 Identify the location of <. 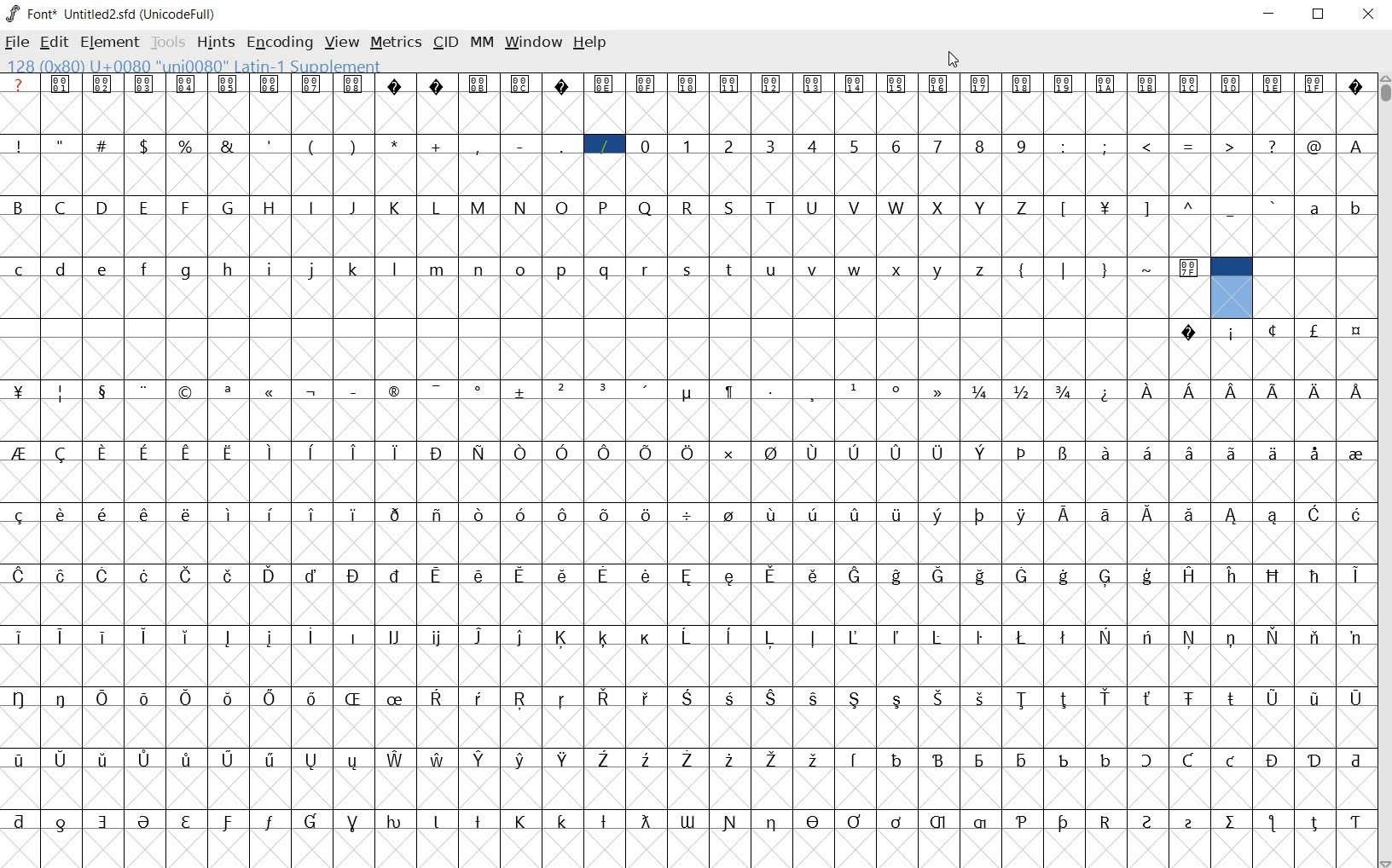
(1149, 146).